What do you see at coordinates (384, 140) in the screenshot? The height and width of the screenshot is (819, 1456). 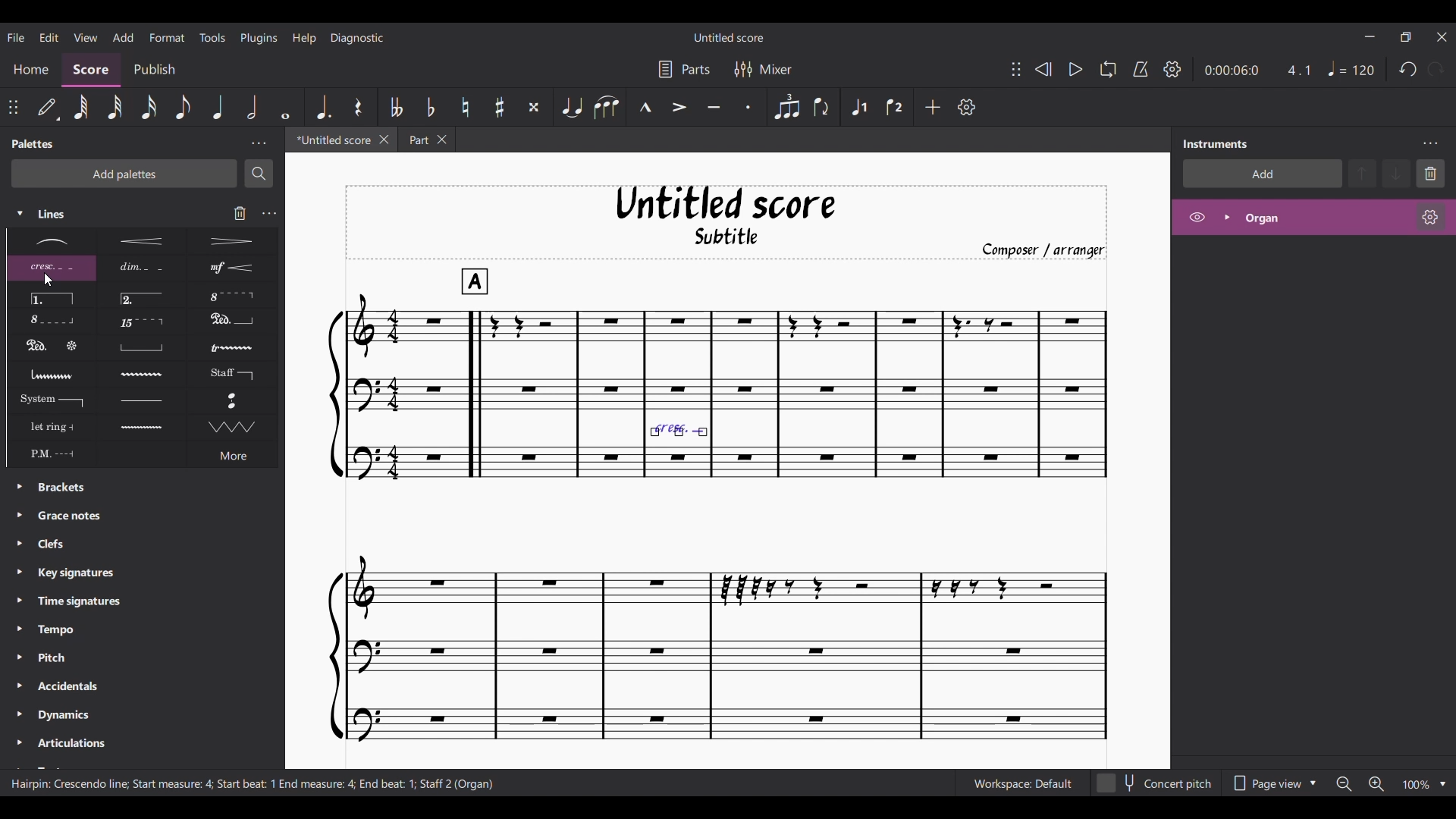 I see `Close current tab` at bounding box center [384, 140].